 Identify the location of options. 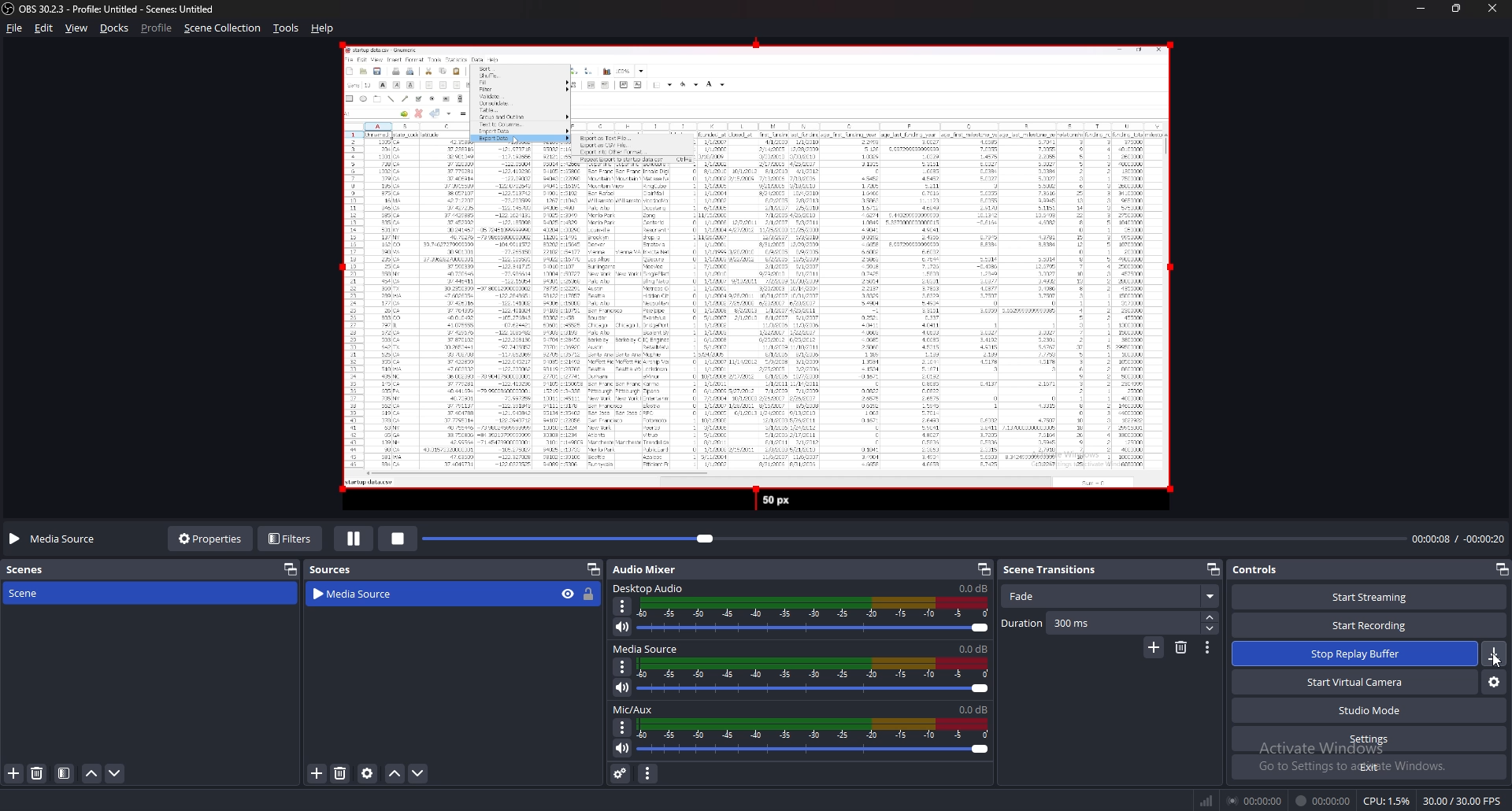
(623, 728).